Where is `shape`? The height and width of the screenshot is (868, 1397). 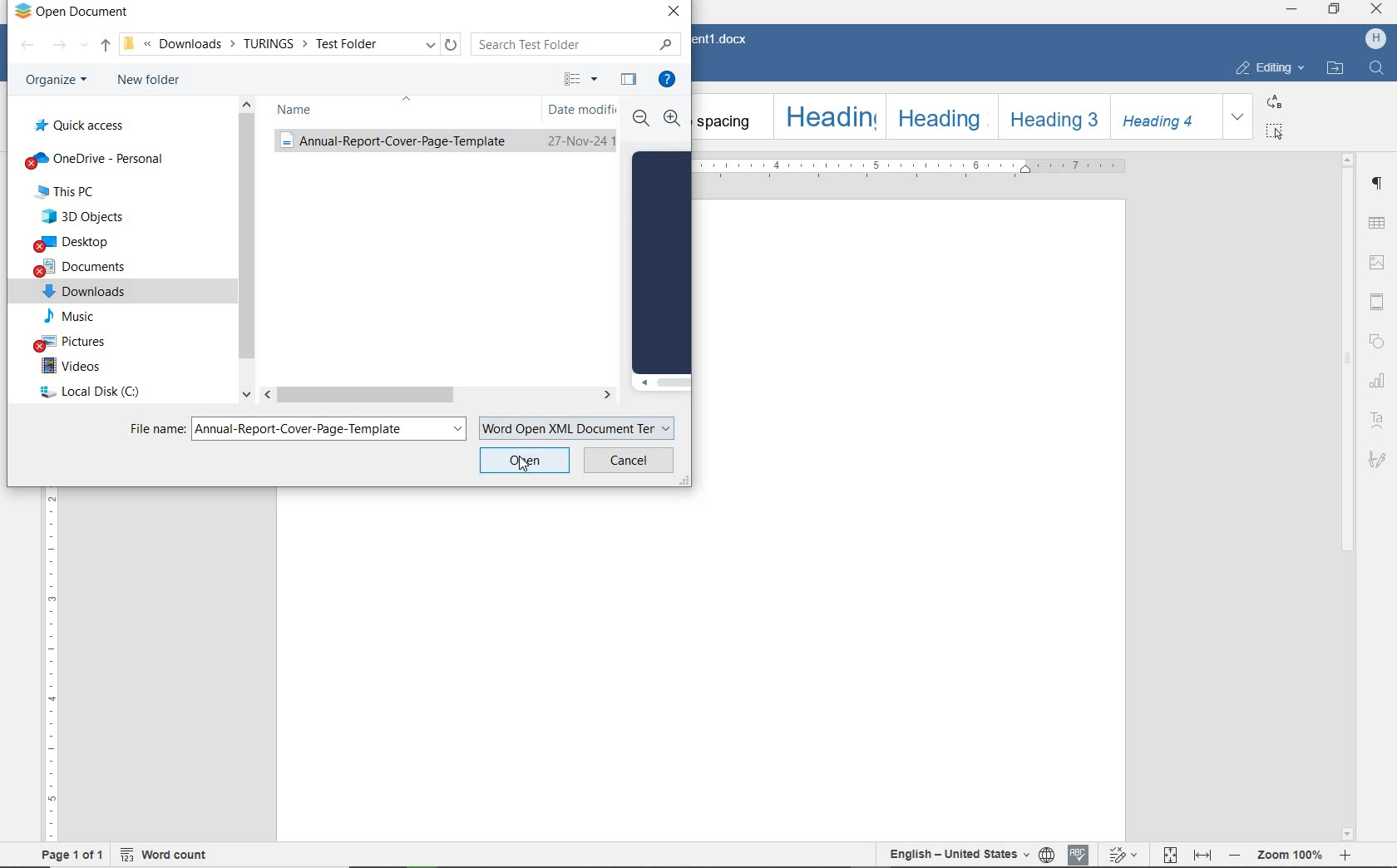 shape is located at coordinates (1378, 342).